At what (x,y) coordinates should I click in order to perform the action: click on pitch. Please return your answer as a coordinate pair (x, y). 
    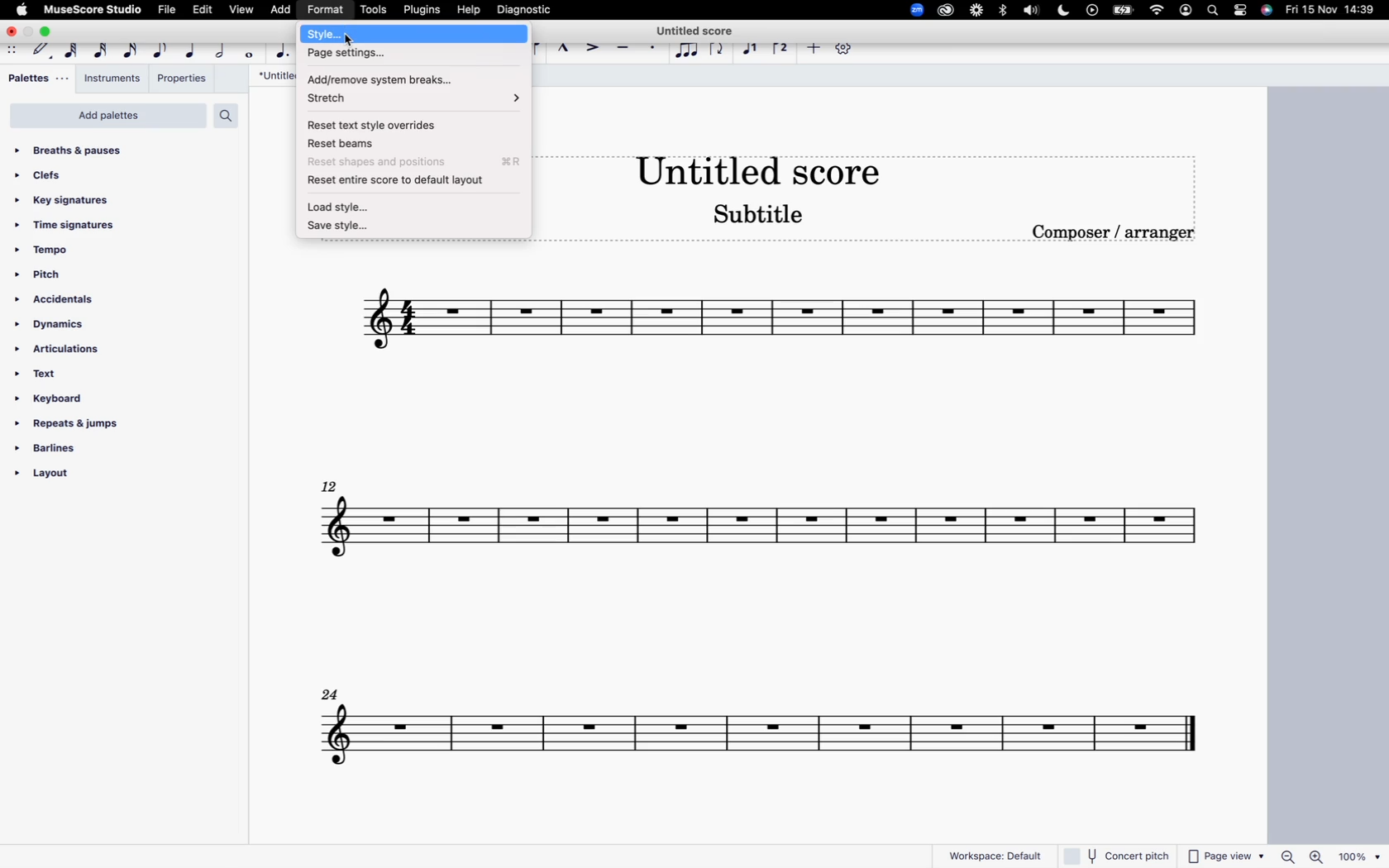
    Looking at the image, I should click on (59, 276).